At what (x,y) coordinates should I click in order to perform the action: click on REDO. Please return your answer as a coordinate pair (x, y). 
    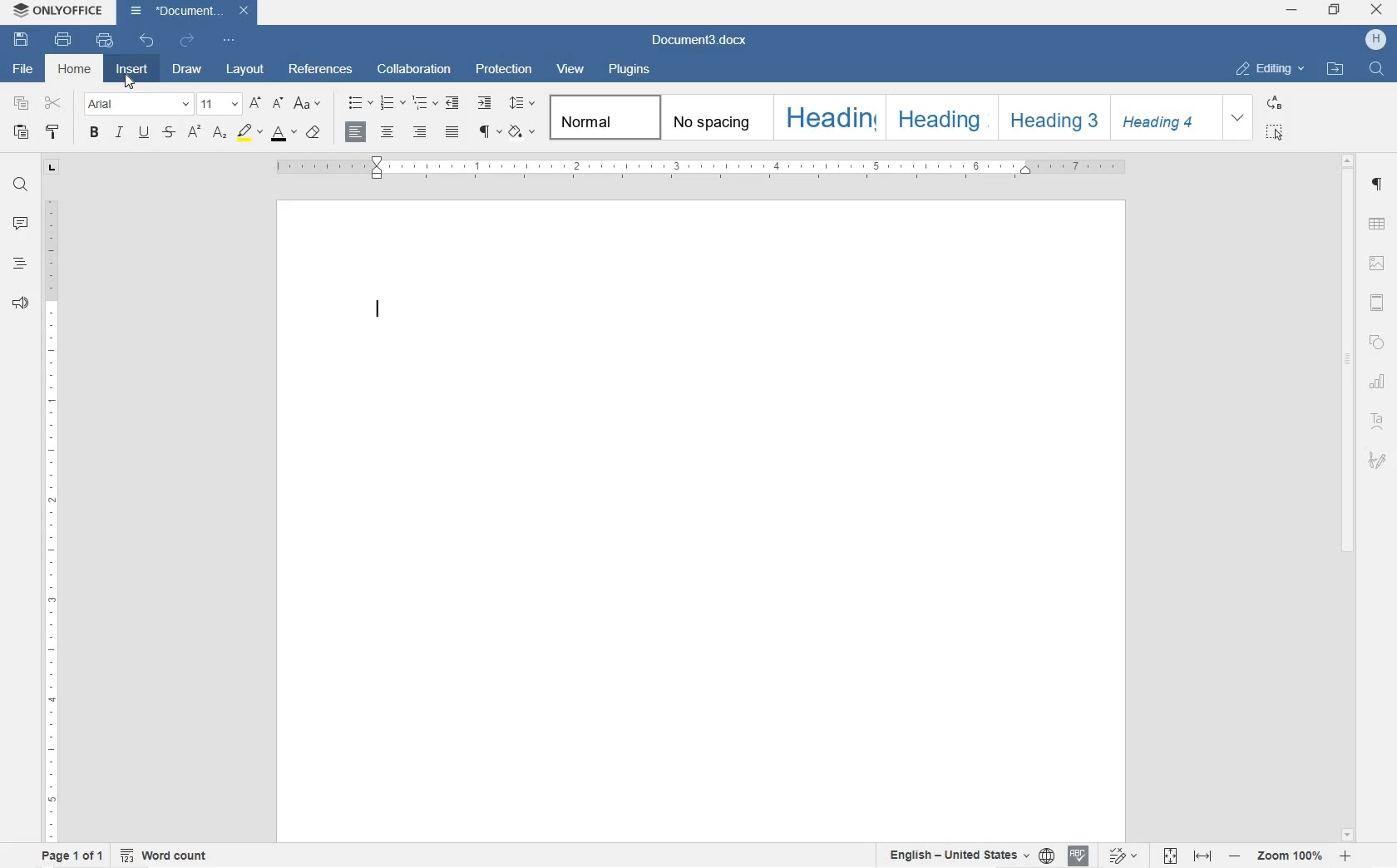
    Looking at the image, I should click on (186, 40).